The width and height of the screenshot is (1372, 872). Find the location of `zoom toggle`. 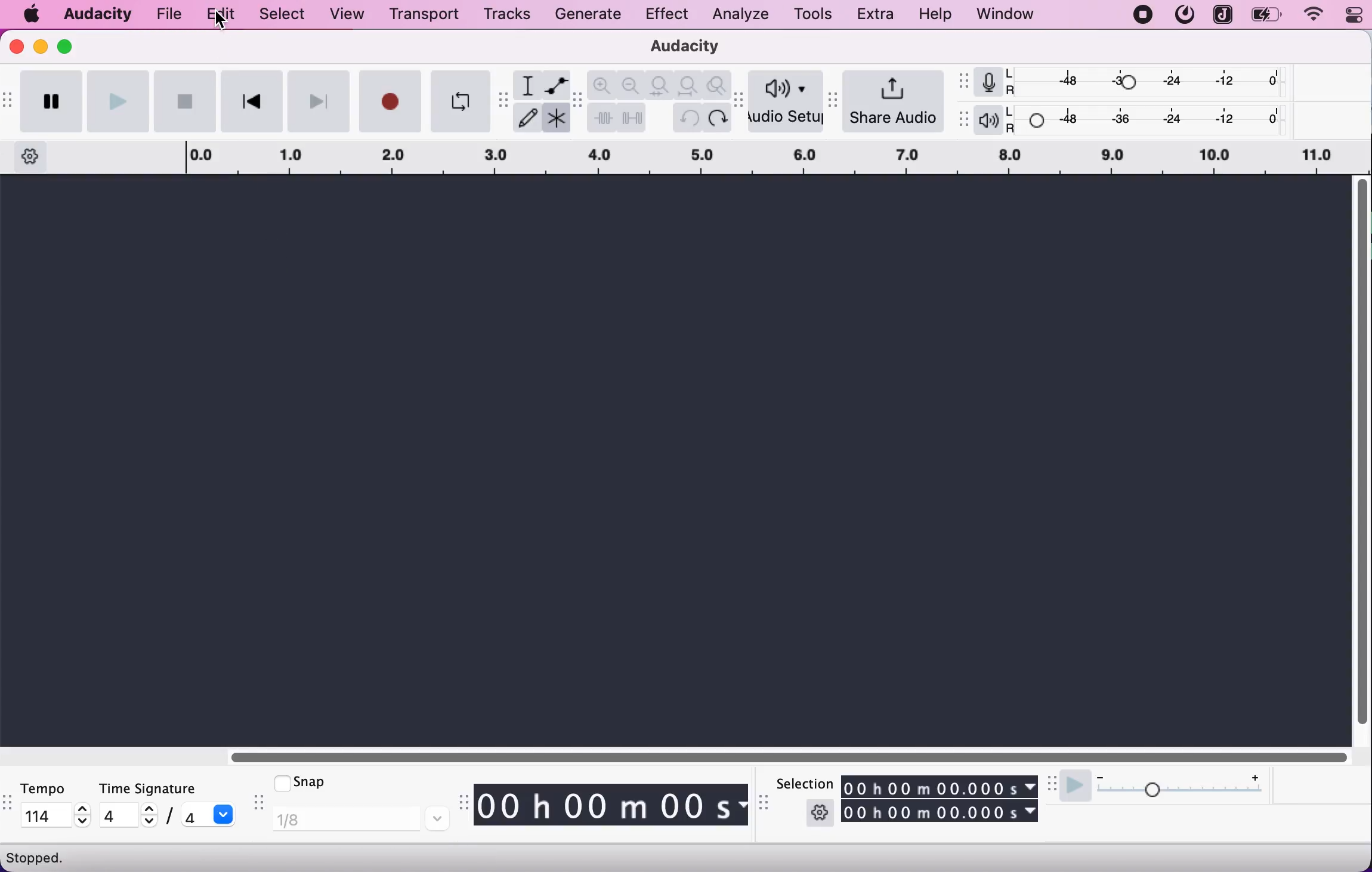

zoom toggle is located at coordinates (716, 86).